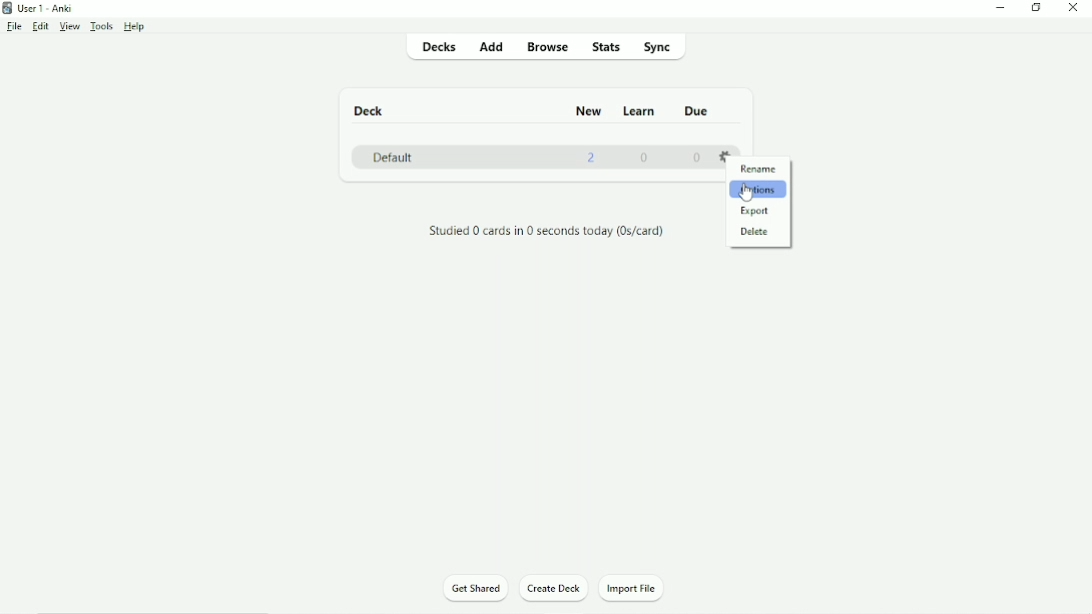  Describe the element at coordinates (1073, 8) in the screenshot. I see `Close` at that location.